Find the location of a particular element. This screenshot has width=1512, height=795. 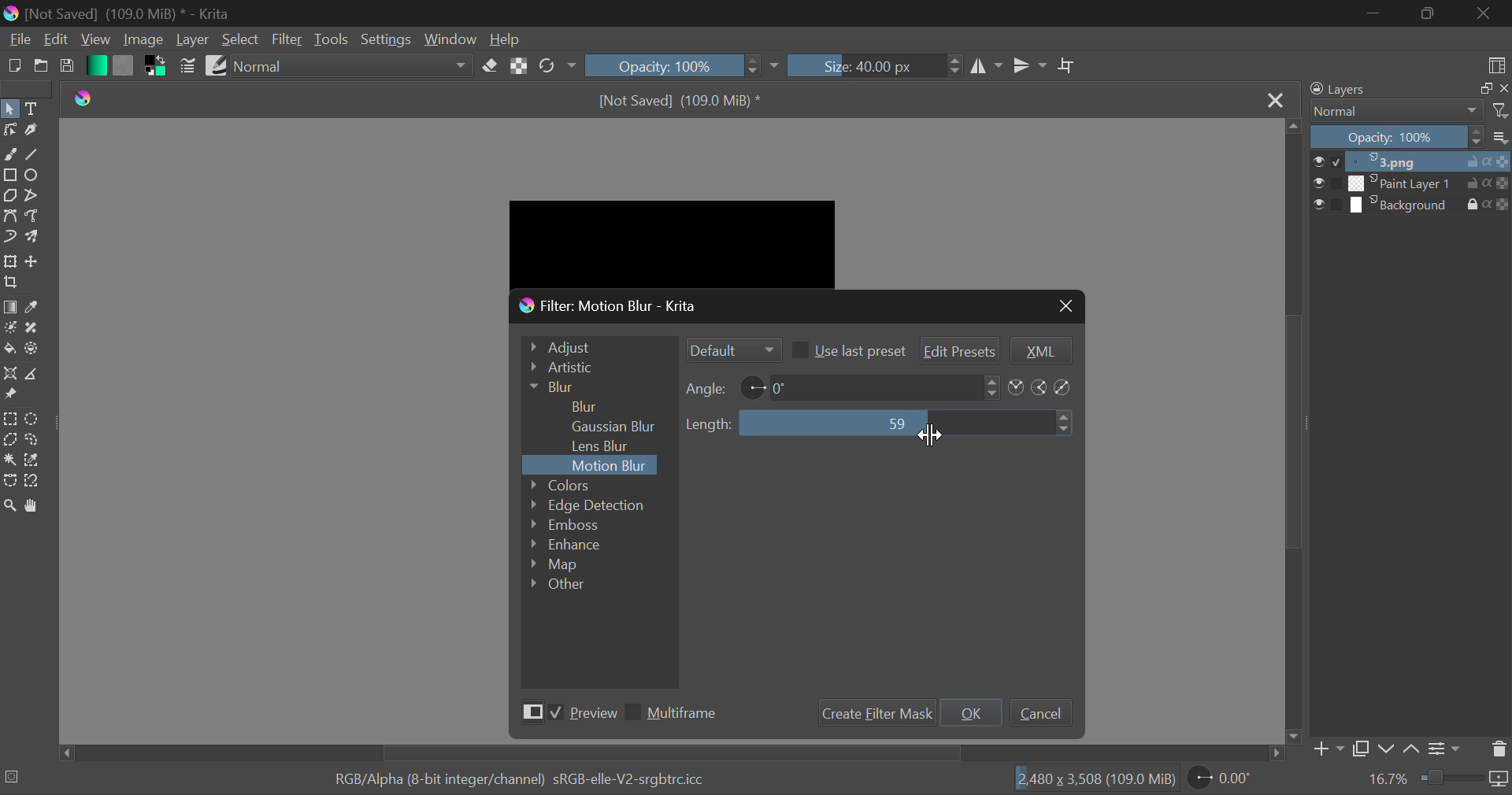

Filter: Motion Blur - Krita is located at coordinates (618, 305).